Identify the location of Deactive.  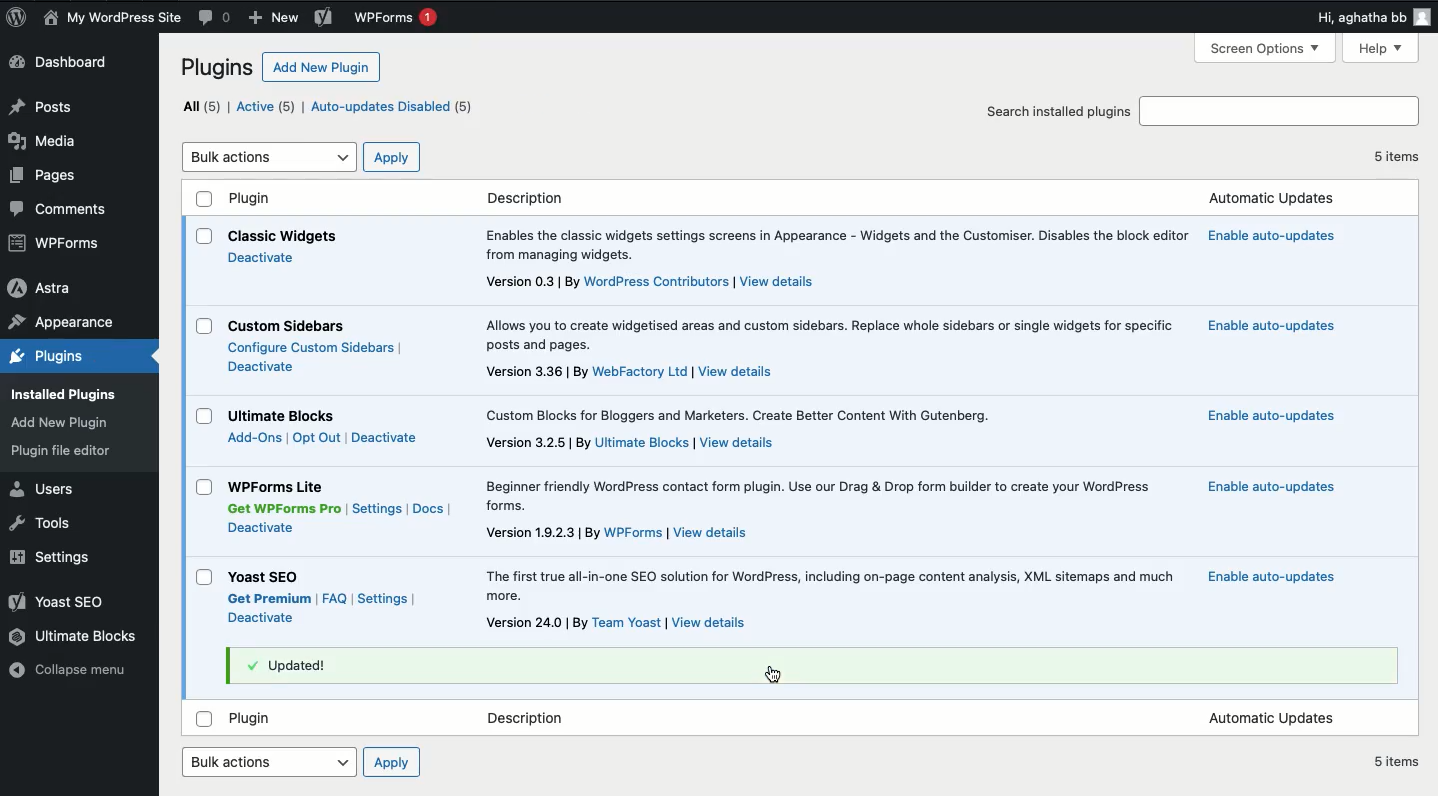
(261, 366).